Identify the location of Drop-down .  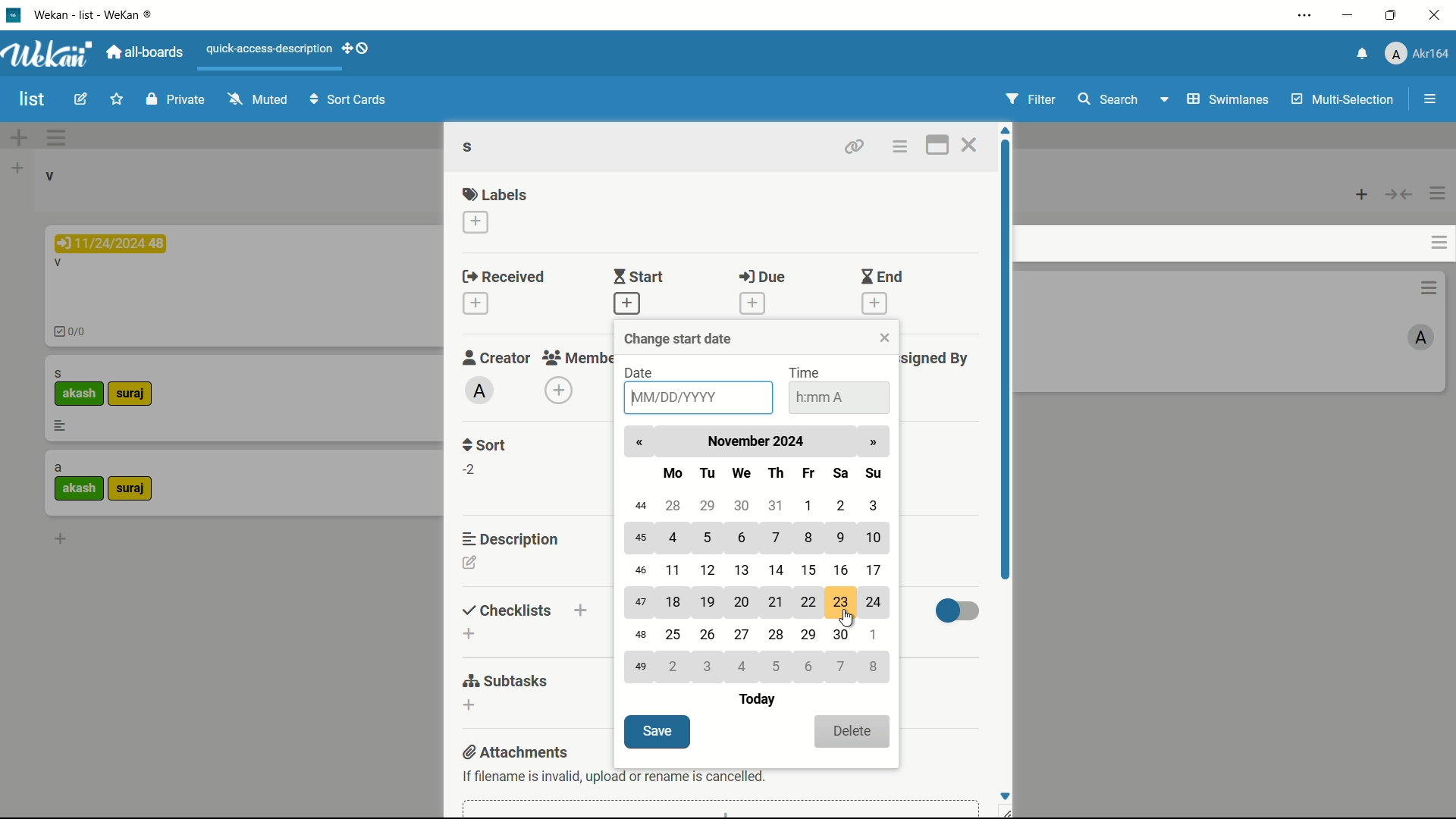
(1166, 99).